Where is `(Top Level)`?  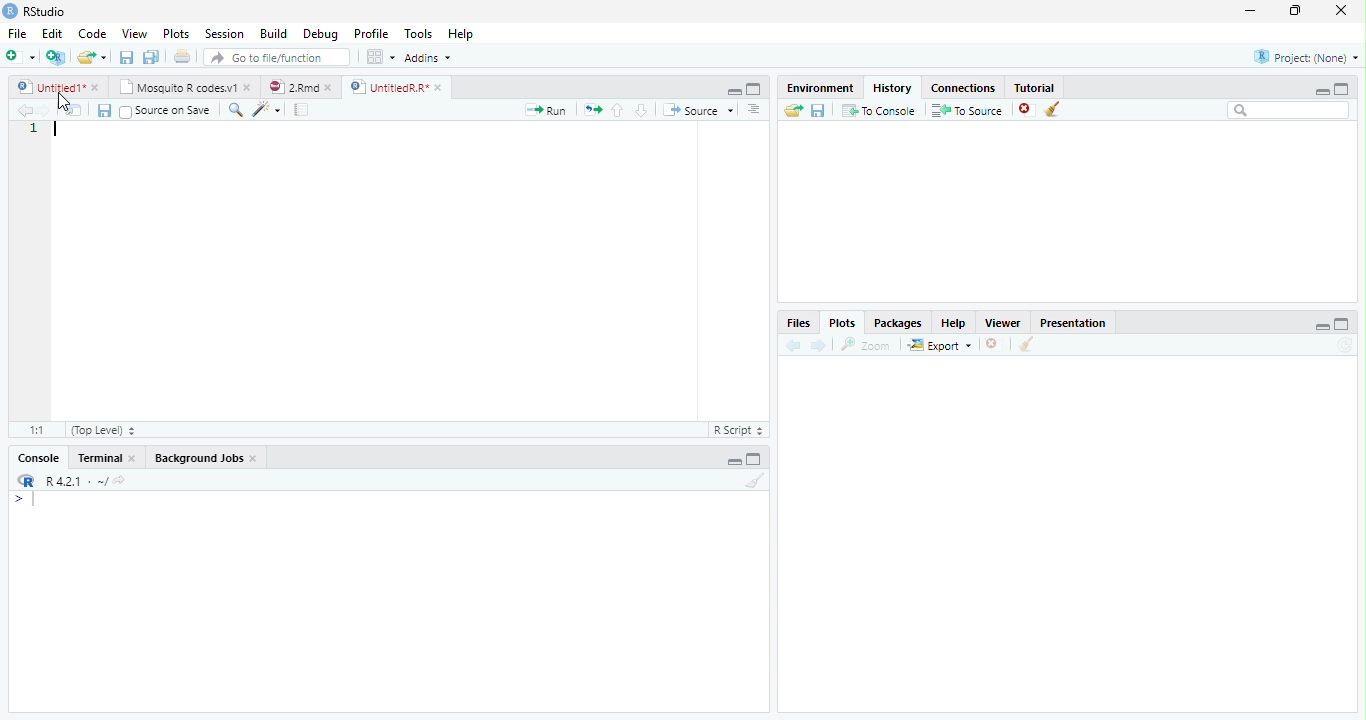
(Top Level) is located at coordinates (101, 430).